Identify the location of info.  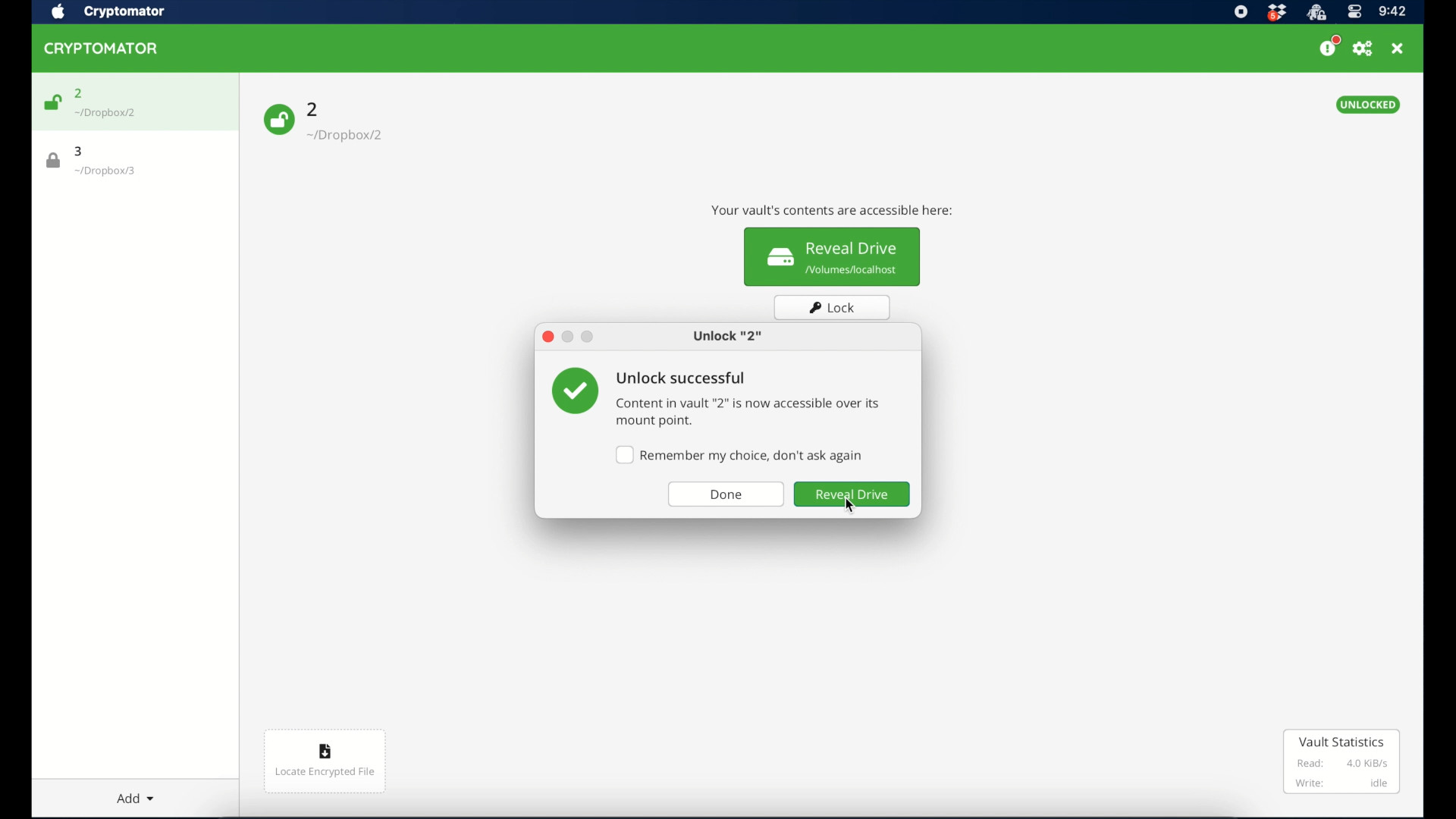
(830, 210).